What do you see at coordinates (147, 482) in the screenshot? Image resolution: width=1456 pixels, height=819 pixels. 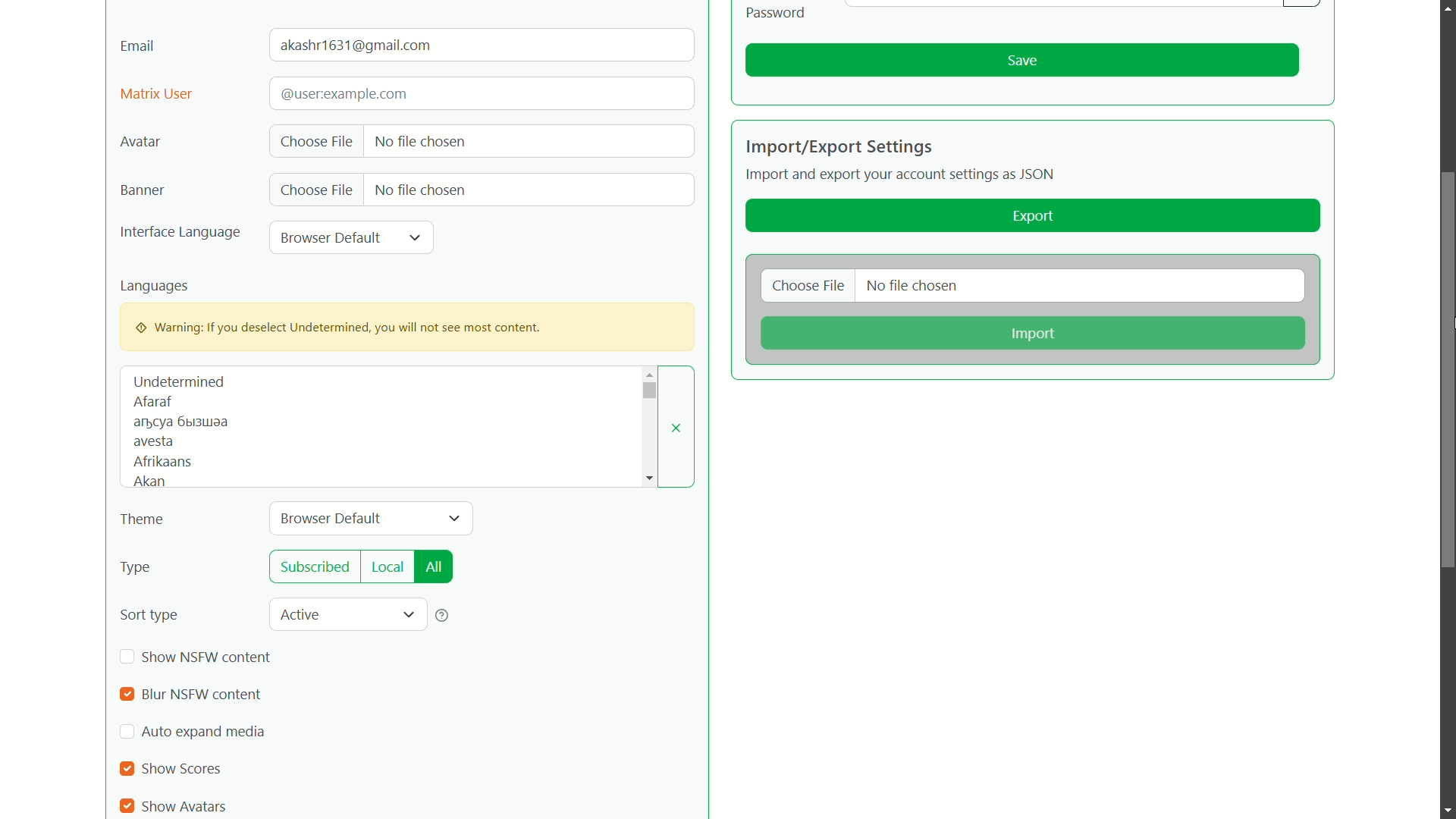 I see `akan` at bounding box center [147, 482].